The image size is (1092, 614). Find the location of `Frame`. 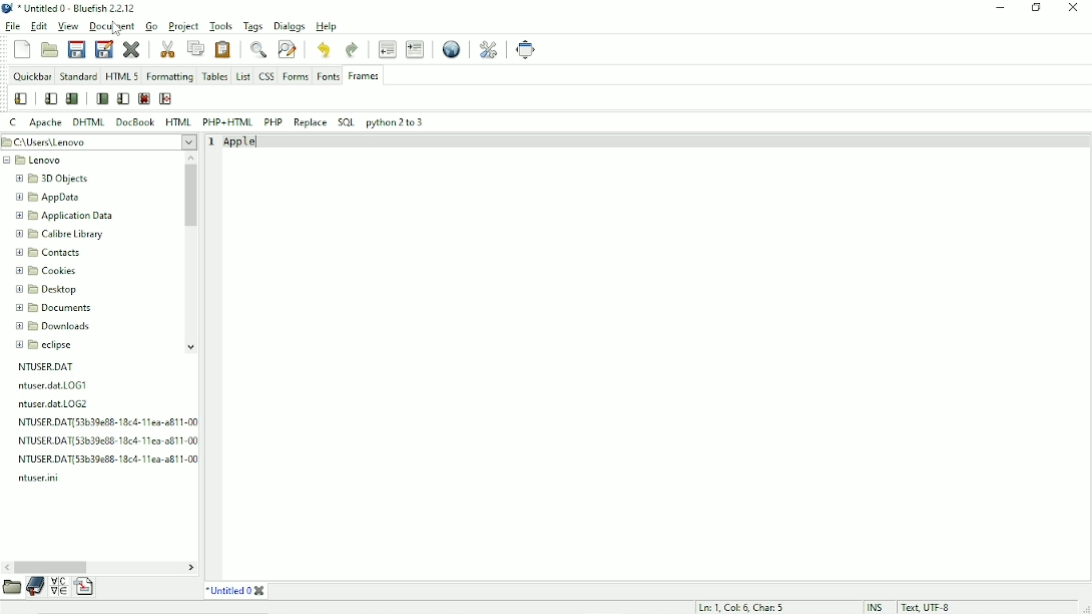

Frame is located at coordinates (100, 99).